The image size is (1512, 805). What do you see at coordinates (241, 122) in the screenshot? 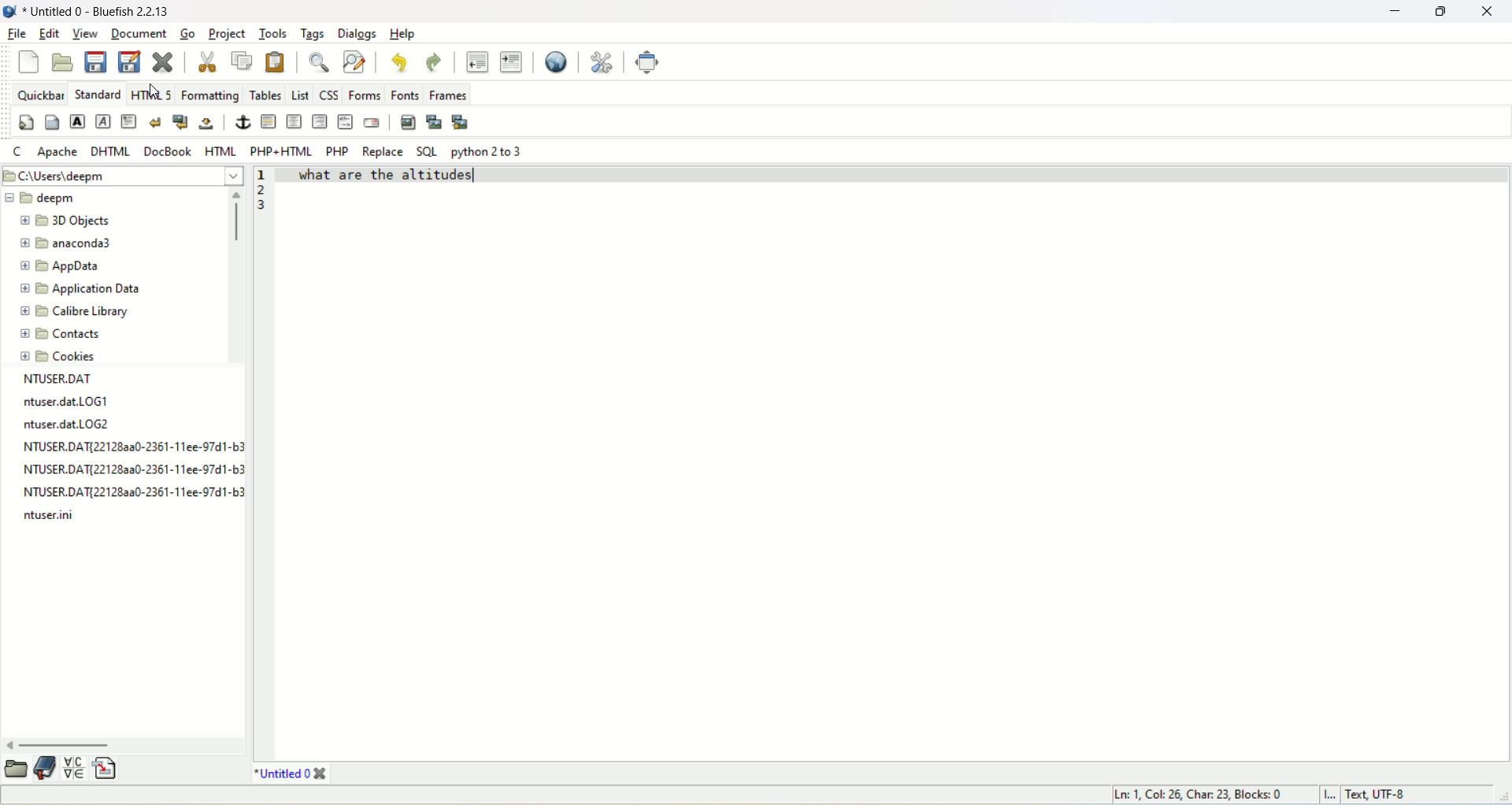
I see `anchor/hyperlink` at bounding box center [241, 122].